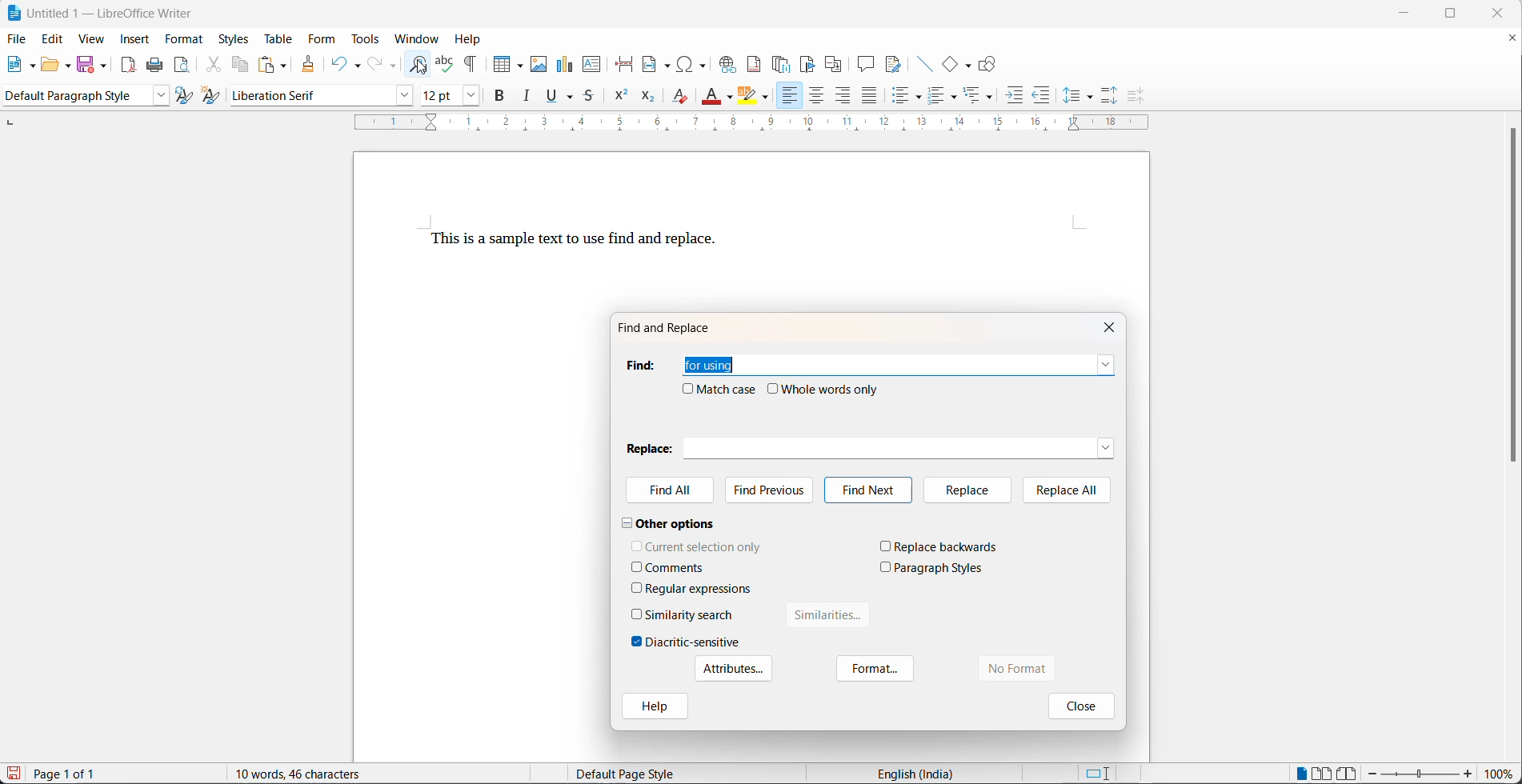 Image resolution: width=1522 pixels, height=784 pixels. Describe the element at coordinates (747, 96) in the screenshot. I see `character highlight` at that location.